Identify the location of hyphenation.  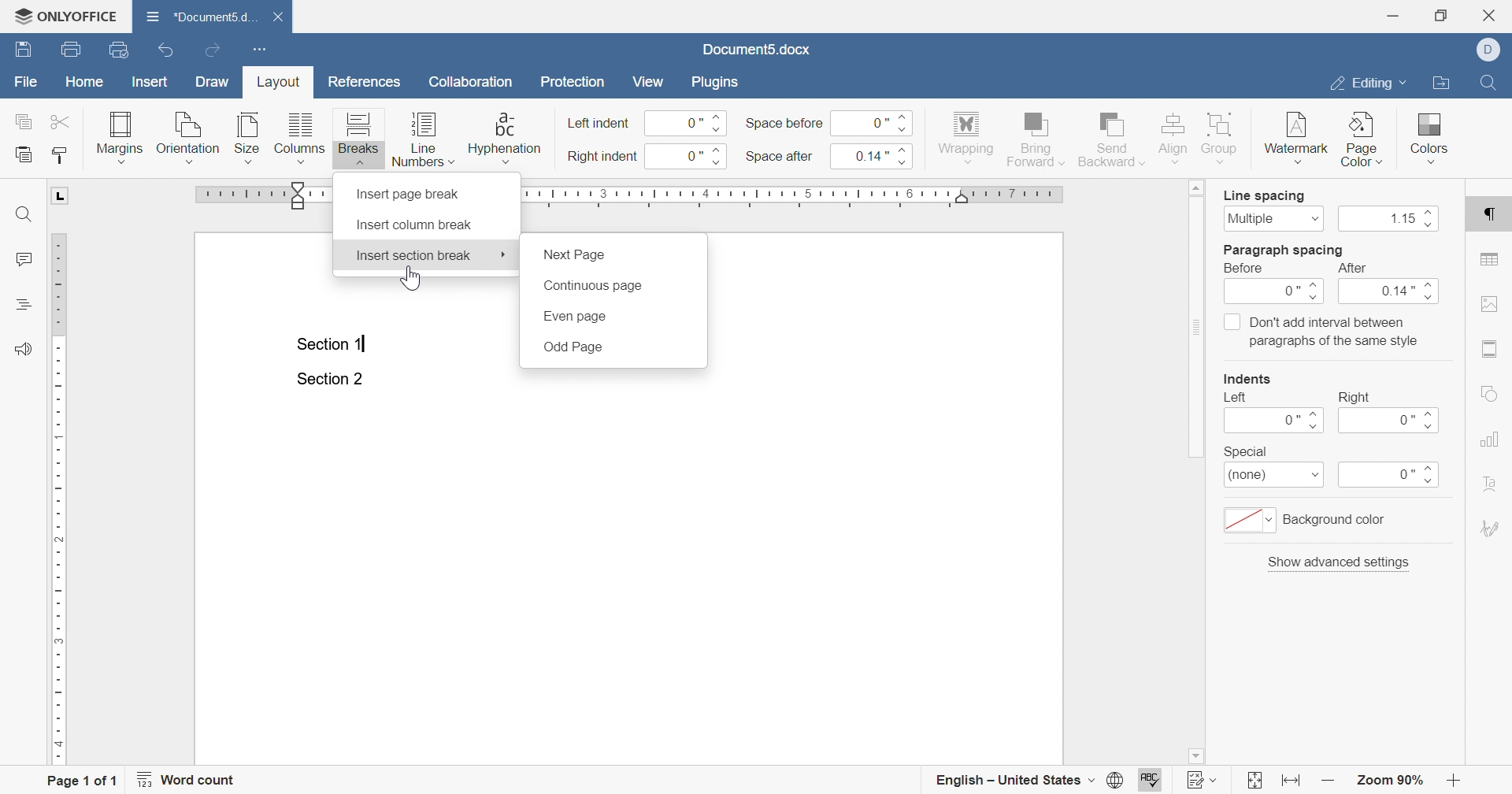
(504, 136).